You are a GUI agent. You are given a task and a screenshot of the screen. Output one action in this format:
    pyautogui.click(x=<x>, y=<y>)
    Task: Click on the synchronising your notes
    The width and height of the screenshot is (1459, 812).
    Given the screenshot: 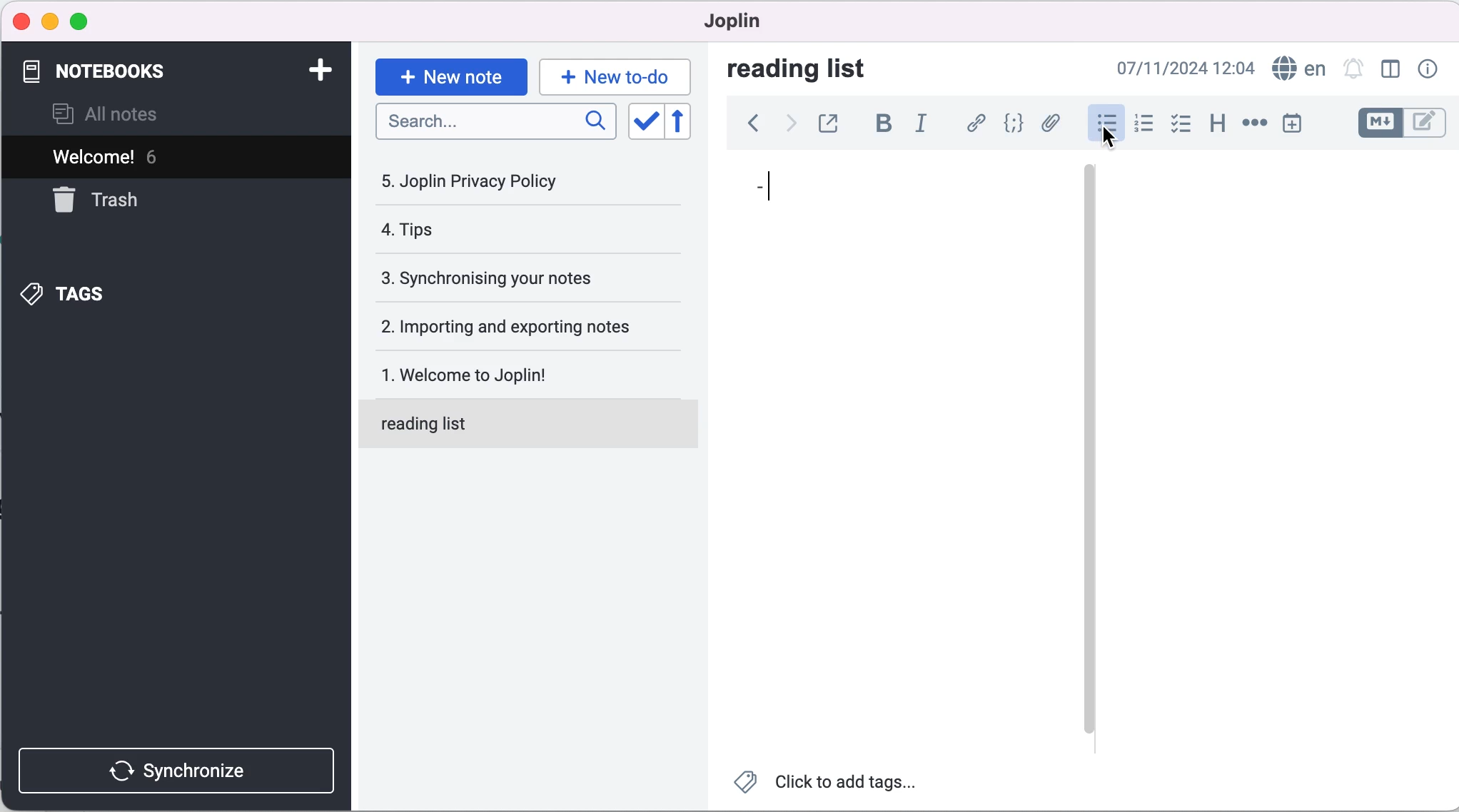 What is the action you would take?
    pyautogui.click(x=525, y=280)
    